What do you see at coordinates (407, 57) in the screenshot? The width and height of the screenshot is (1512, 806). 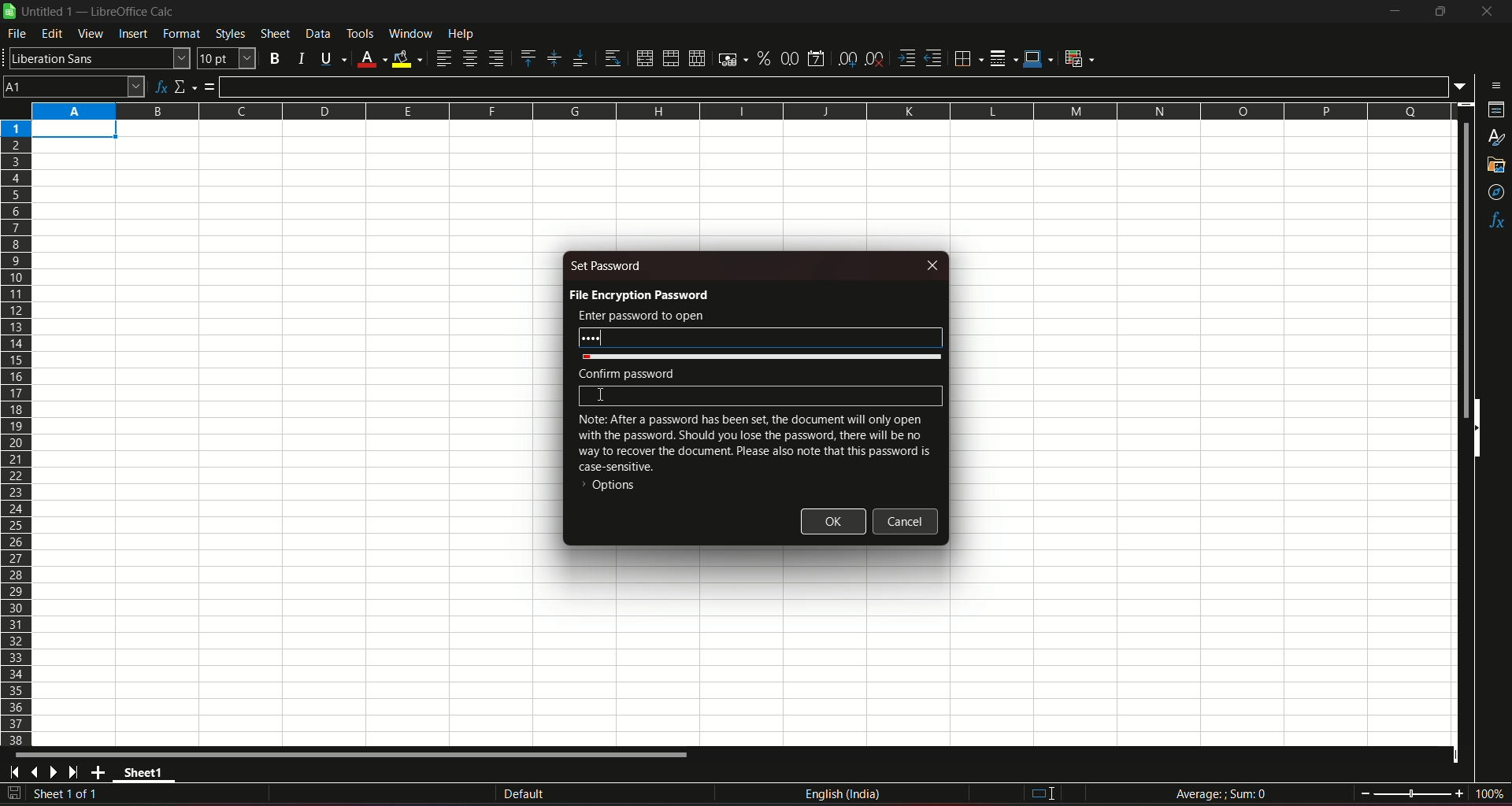 I see `background color` at bounding box center [407, 57].